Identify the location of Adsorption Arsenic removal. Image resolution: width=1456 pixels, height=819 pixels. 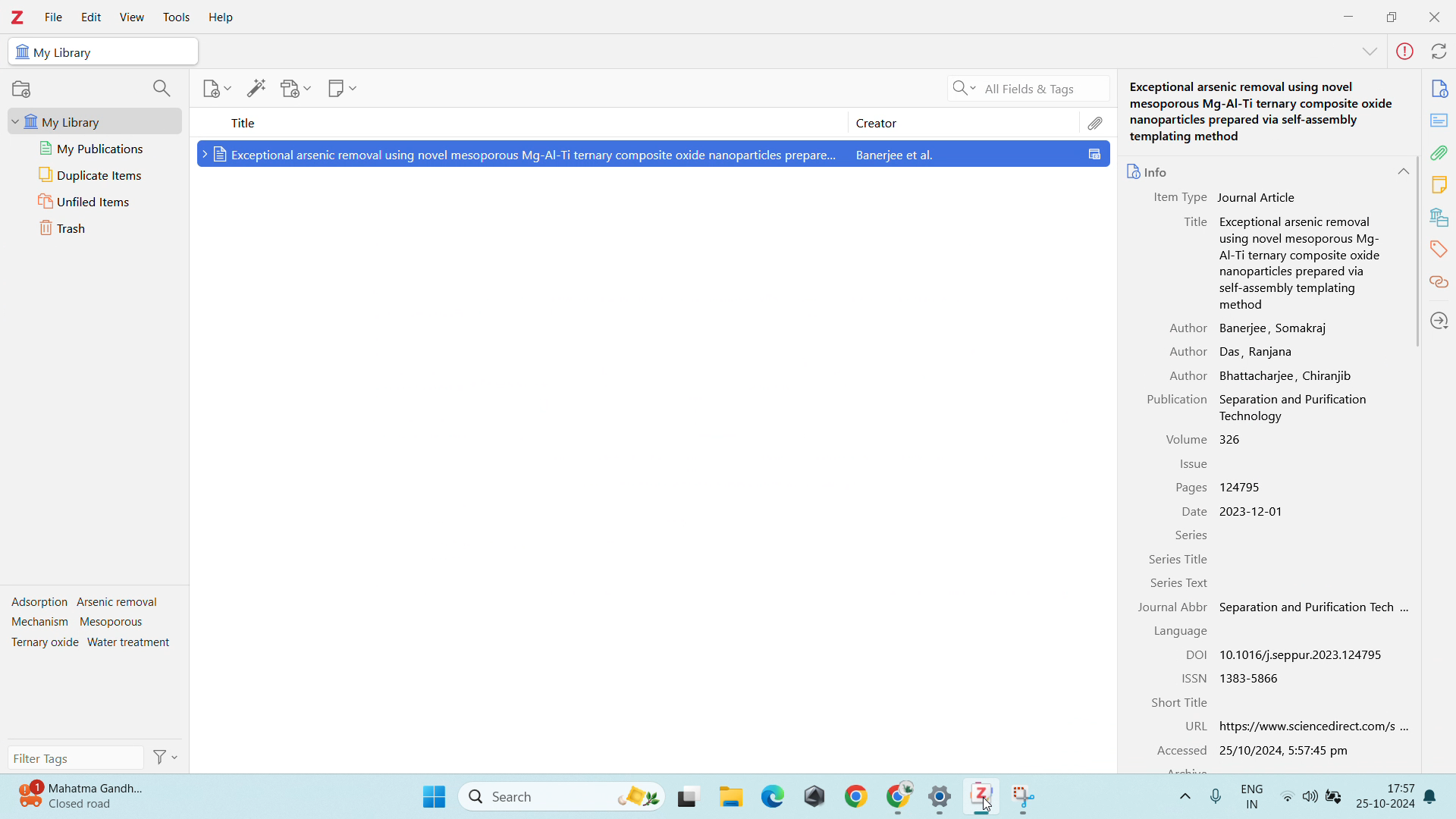
(85, 603).